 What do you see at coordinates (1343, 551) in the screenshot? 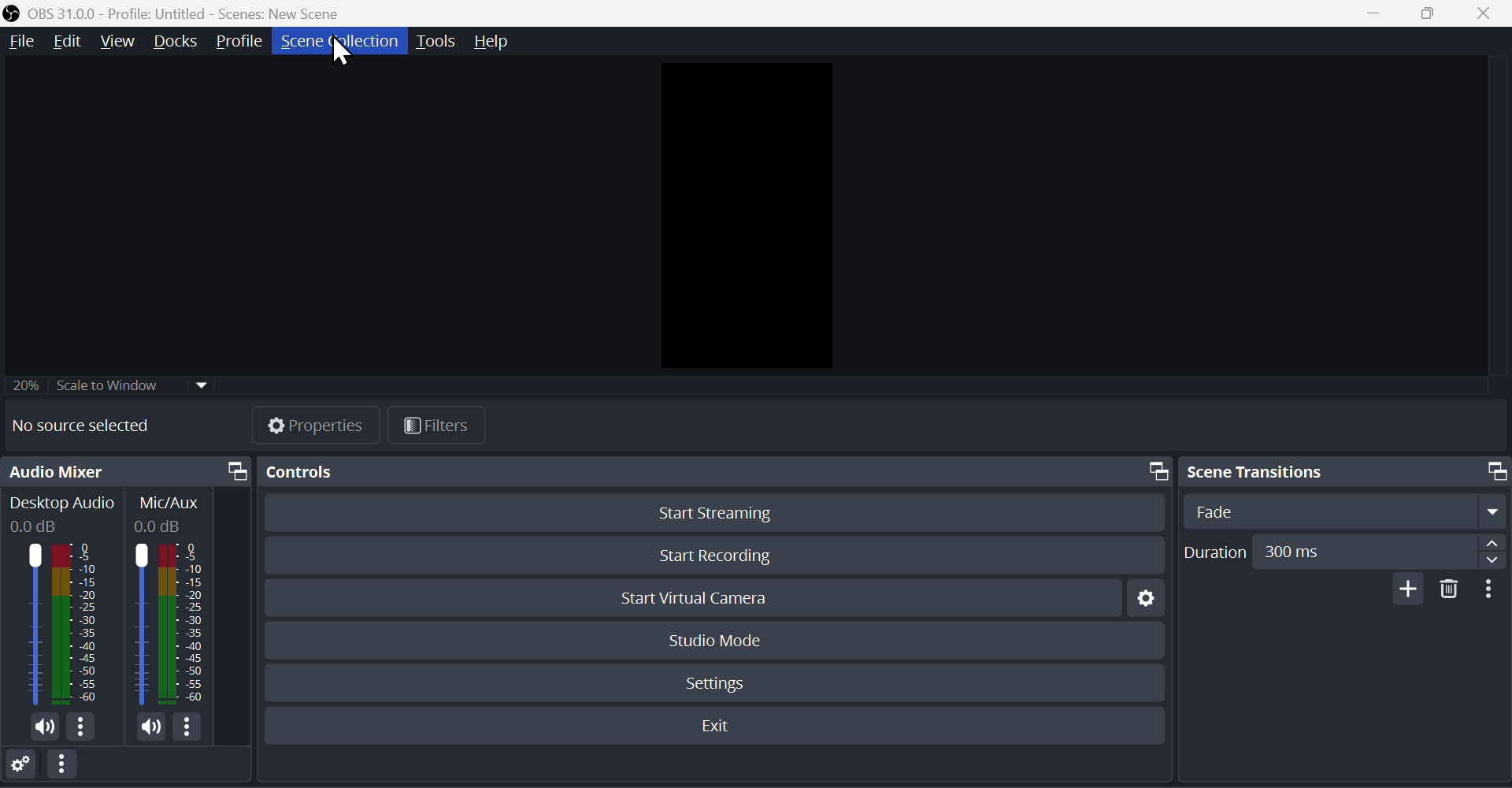
I see `Durations` at bounding box center [1343, 551].